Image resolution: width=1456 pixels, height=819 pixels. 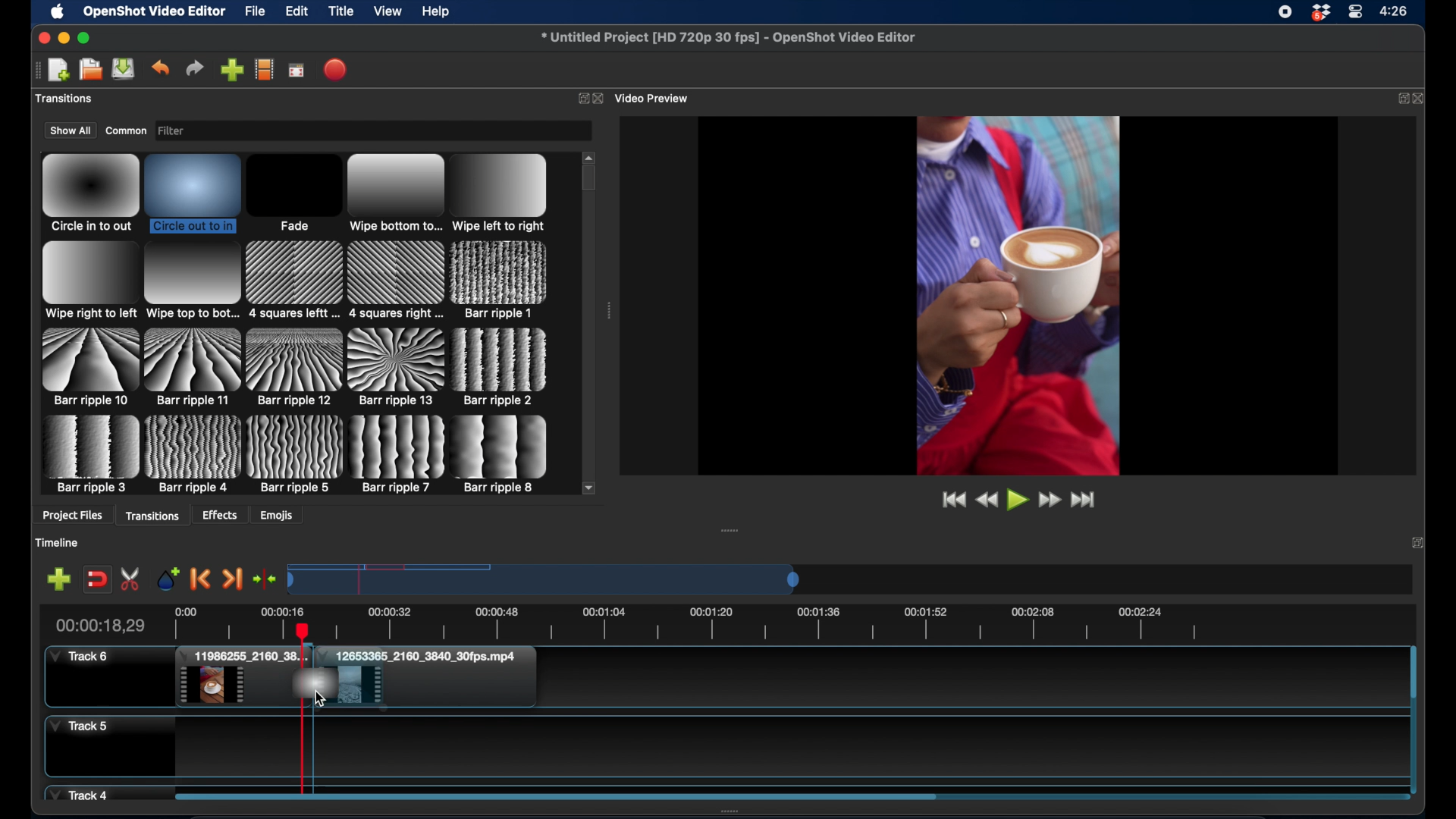 I want to click on drag handle, so click(x=36, y=69).